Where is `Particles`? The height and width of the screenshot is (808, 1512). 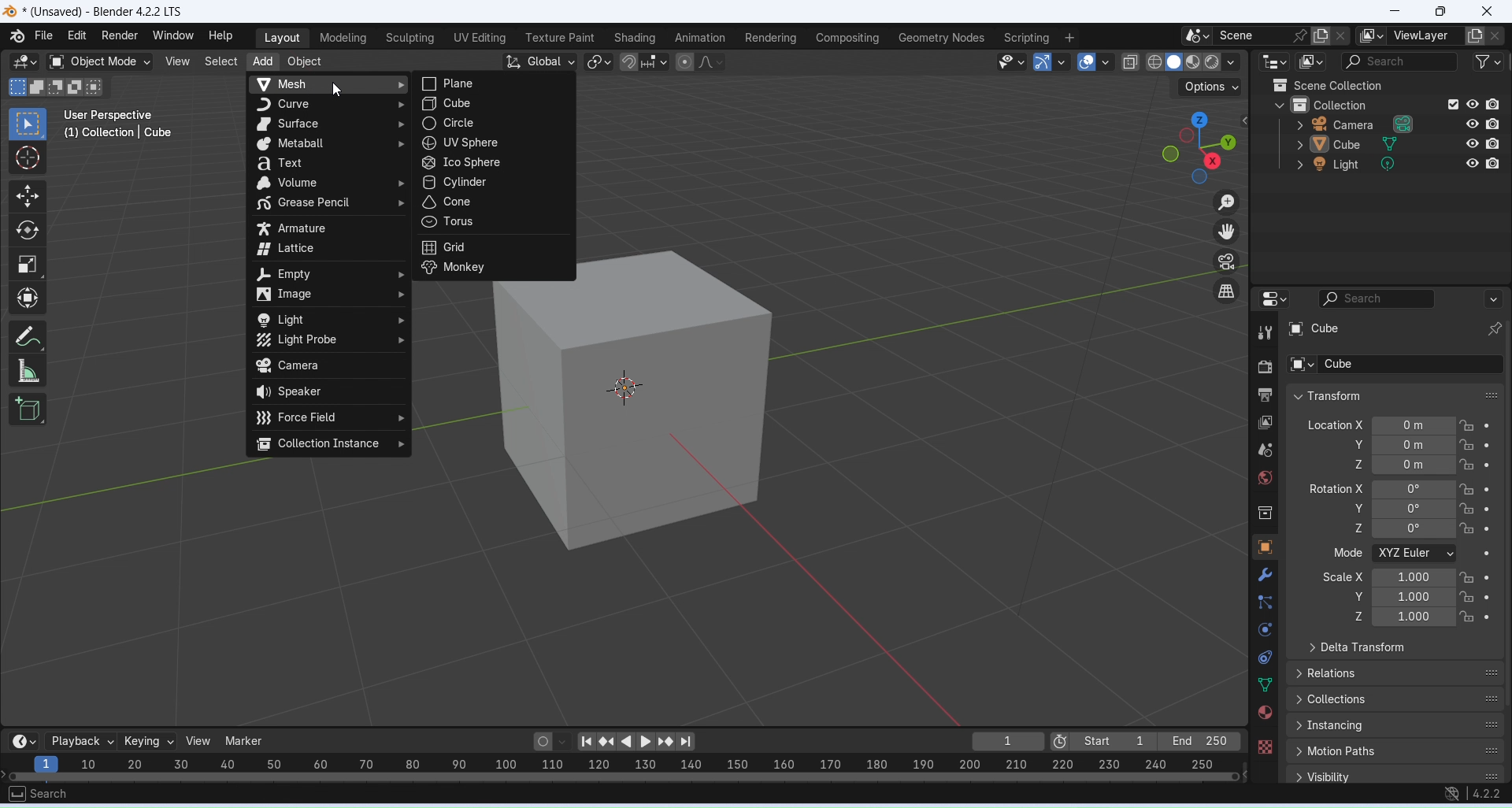
Particles is located at coordinates (1266, 602).